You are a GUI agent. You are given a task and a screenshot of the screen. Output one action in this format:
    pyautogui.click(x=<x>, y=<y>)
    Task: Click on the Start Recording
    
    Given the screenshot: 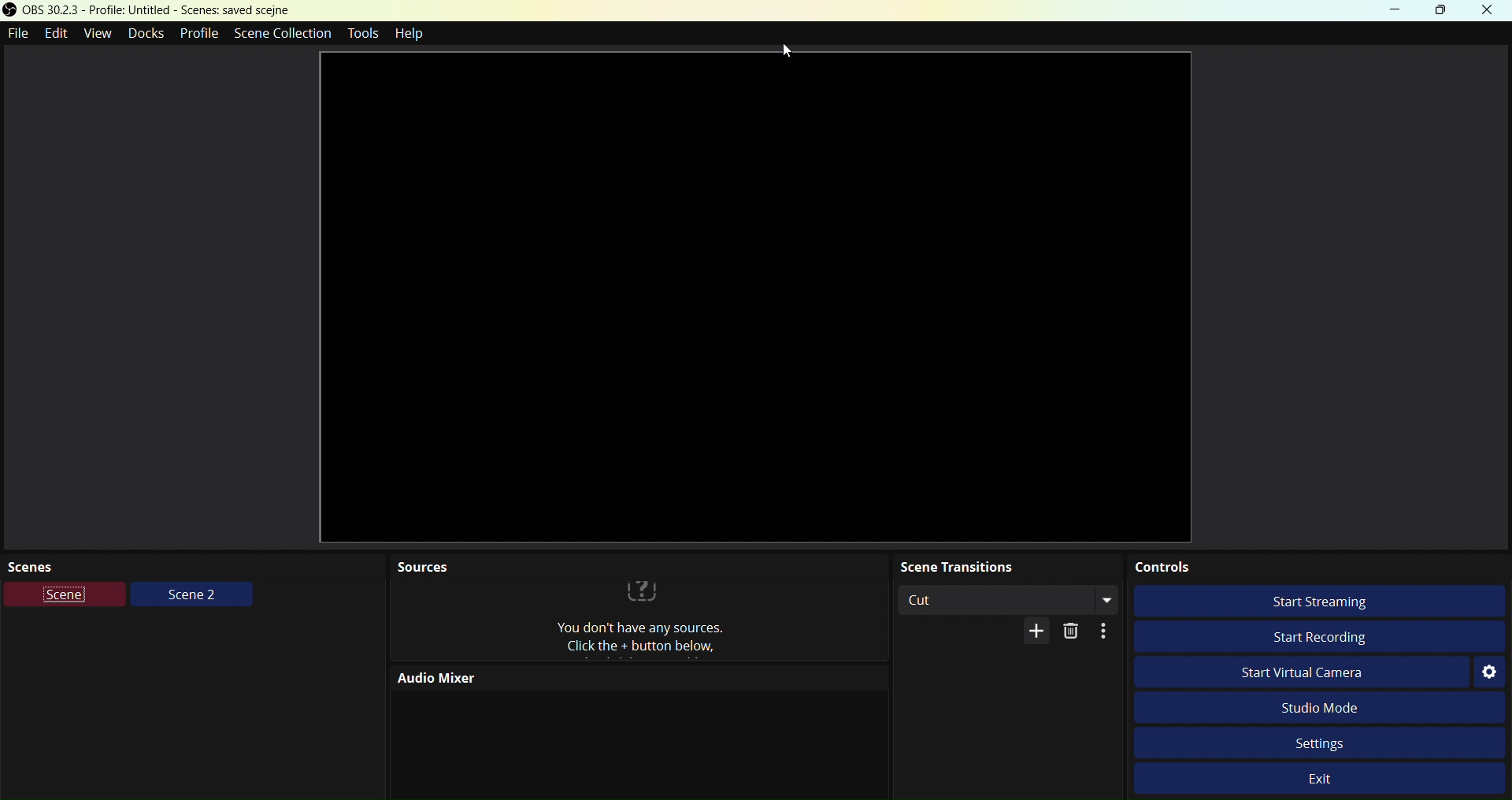 What is the action you would take?
    pyautogui.click(x=1321, y=635)
    